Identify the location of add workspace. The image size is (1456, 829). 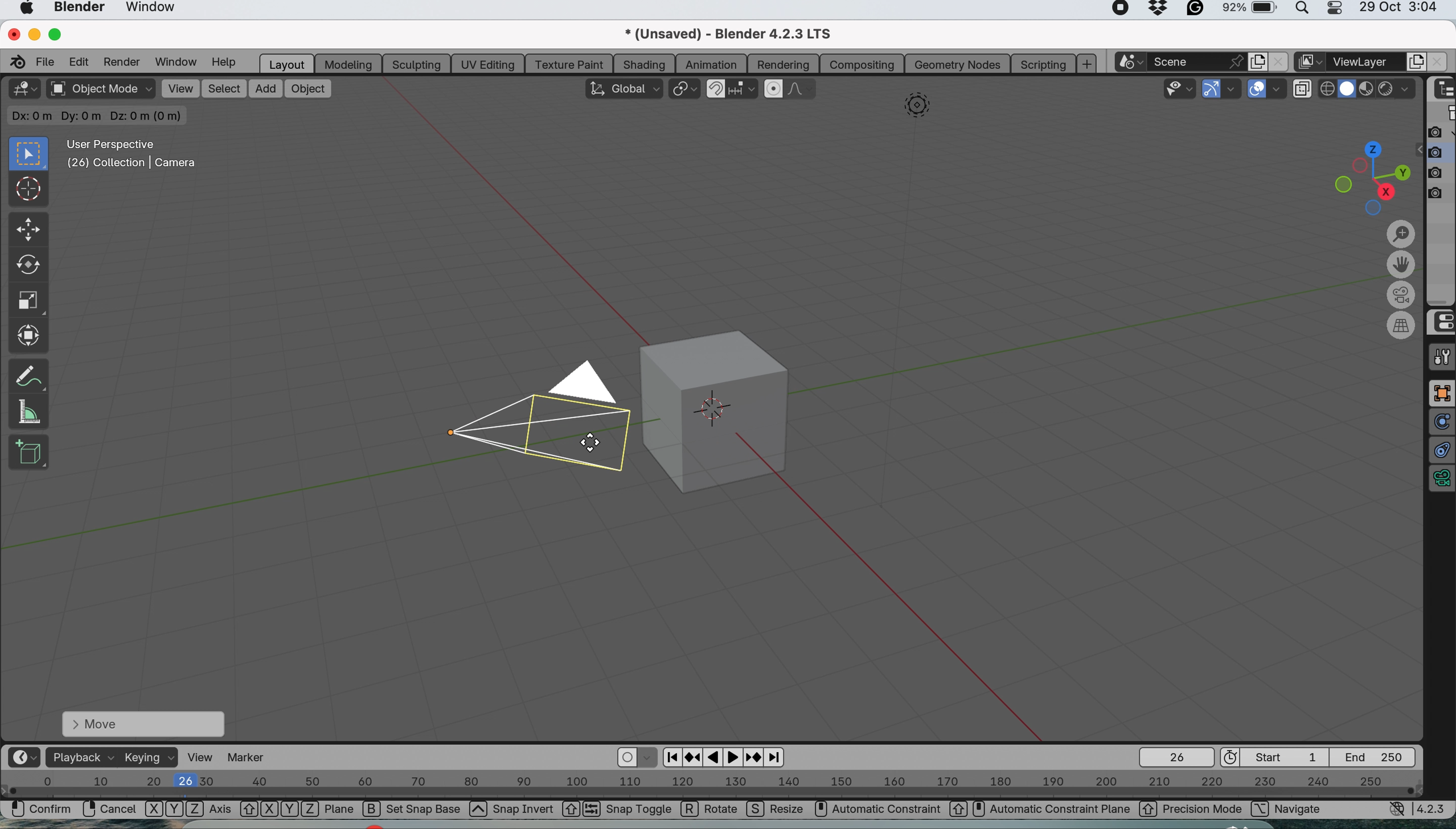
(1088, 64).